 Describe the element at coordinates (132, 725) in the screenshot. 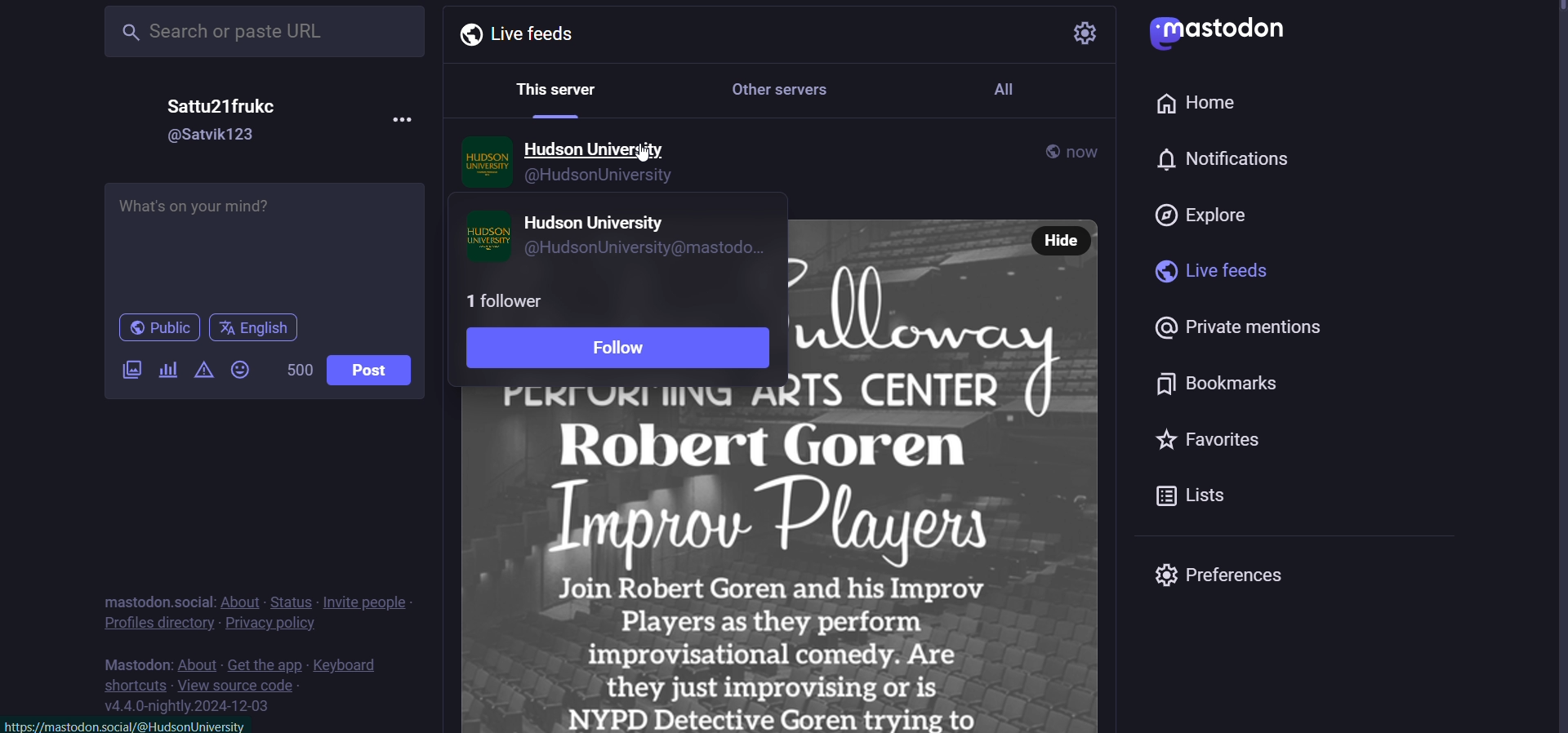

I see `httos://mastodon.social/oublic/local` at that location.